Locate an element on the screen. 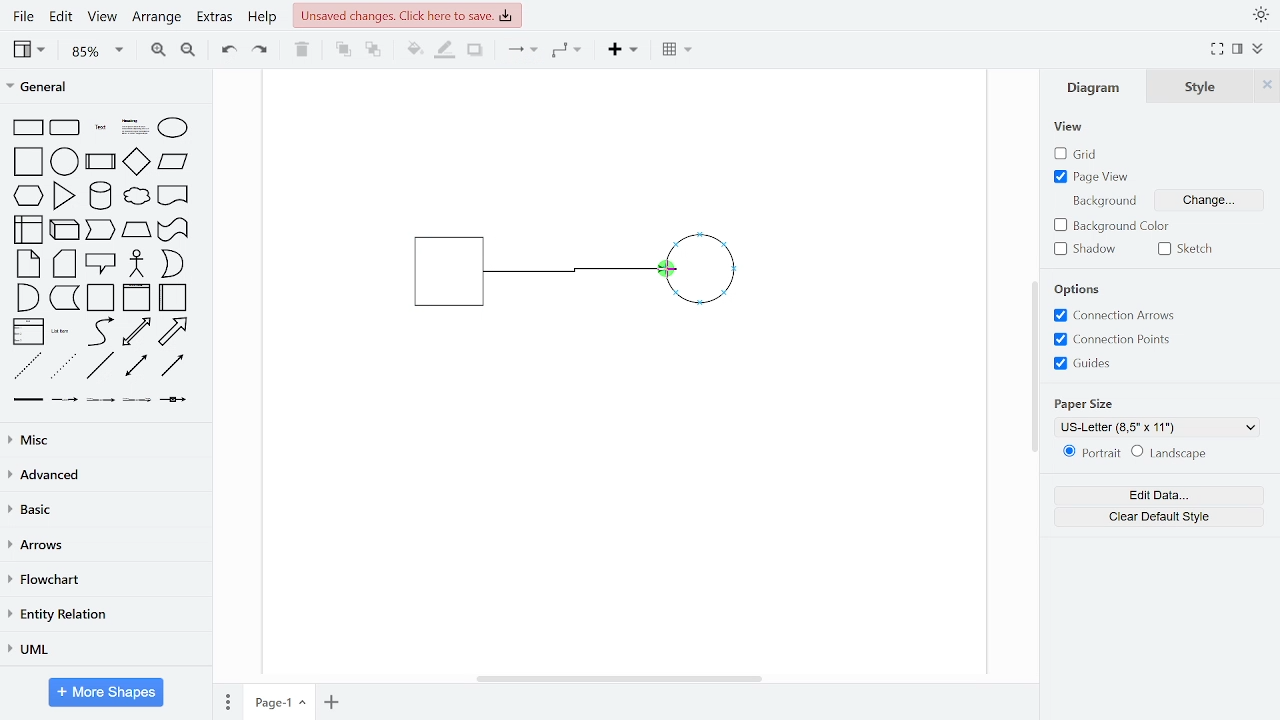  grid is located at coordinates (1086, 154).